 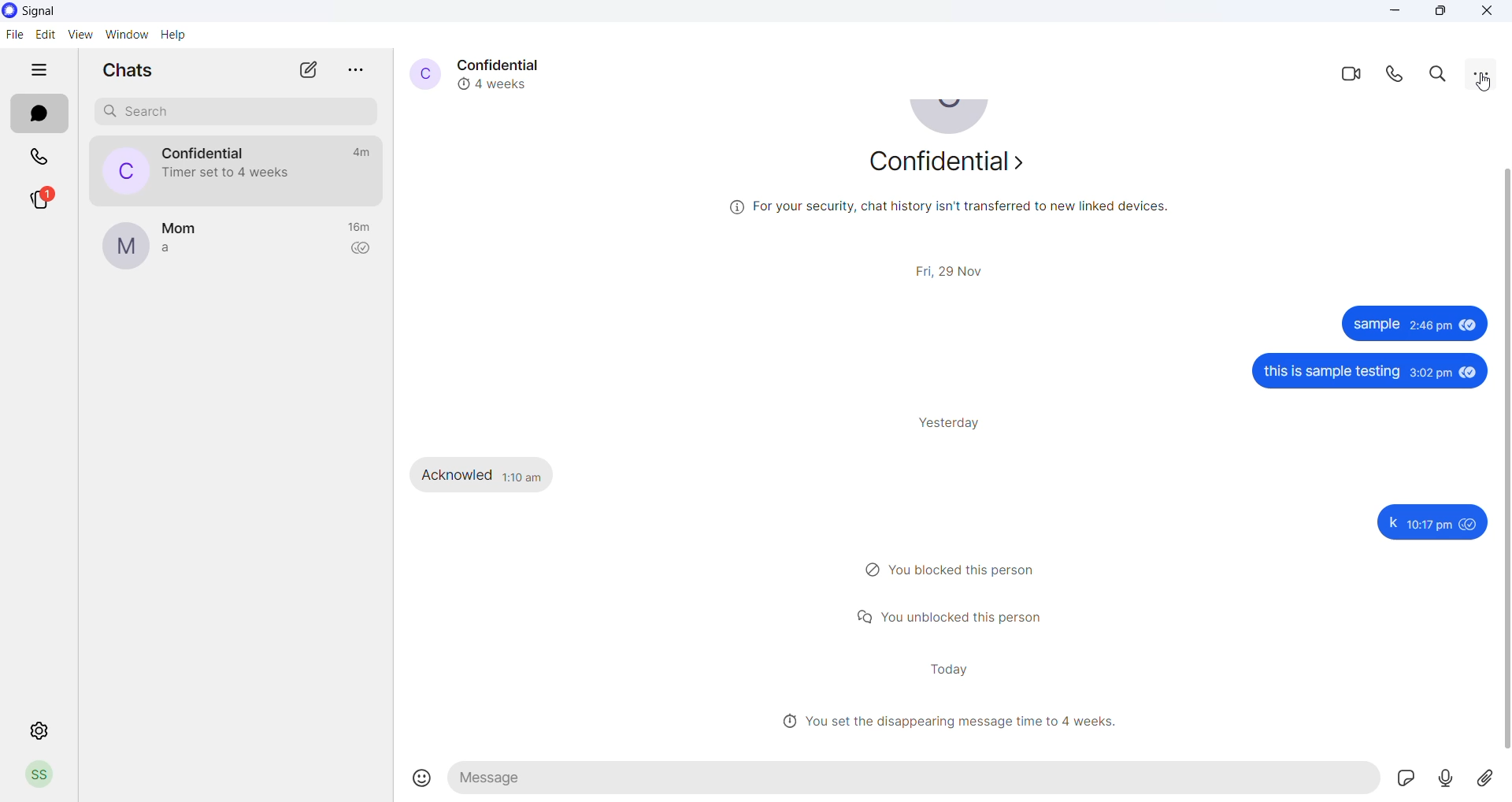 What do you see at coordinates (80, 35) in the screenshot?
I see `view` at bounding box center [80, 35].